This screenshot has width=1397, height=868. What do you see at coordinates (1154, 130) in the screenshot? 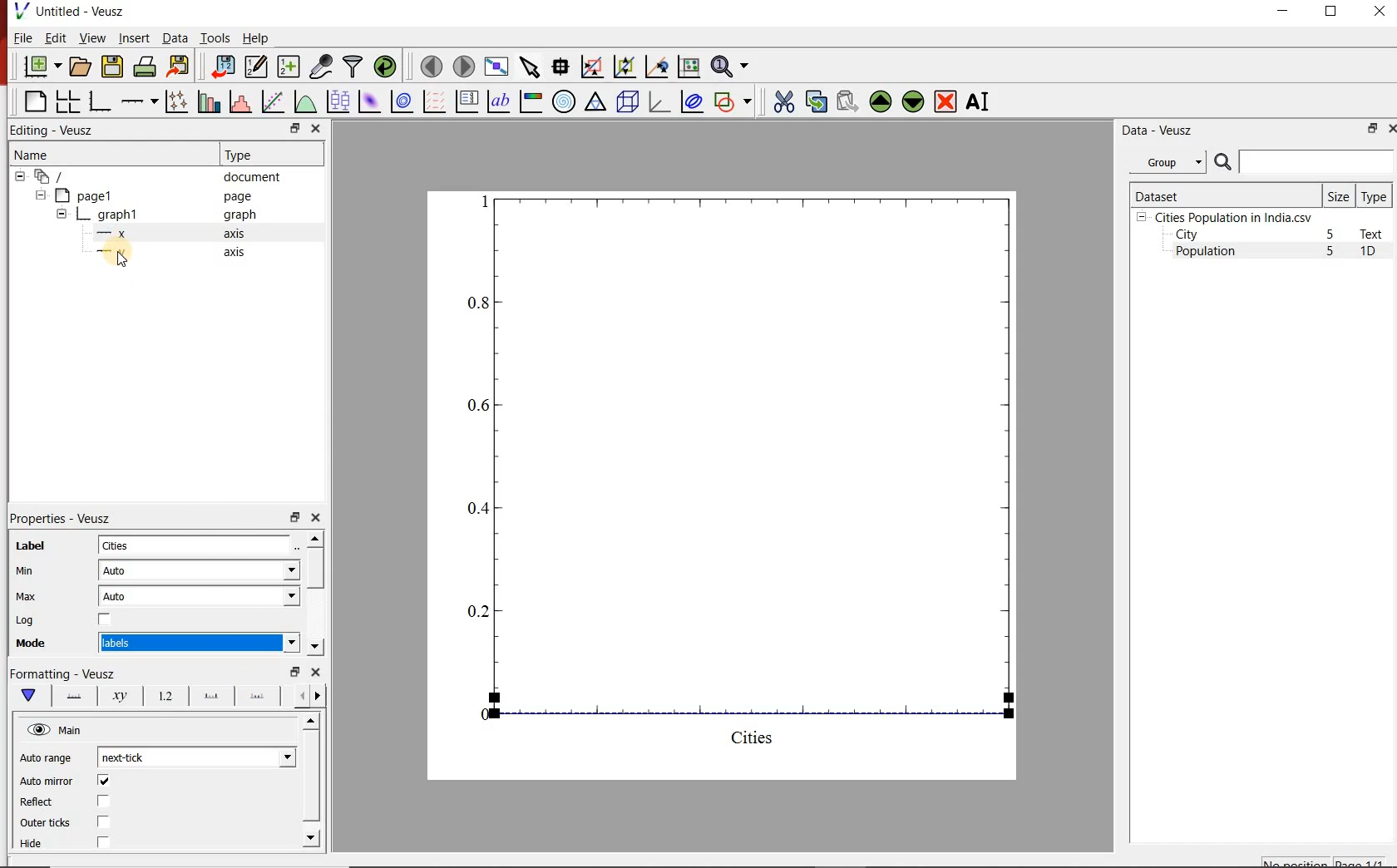
I see `Data - Veusz` at bounding box center [1154, 130].